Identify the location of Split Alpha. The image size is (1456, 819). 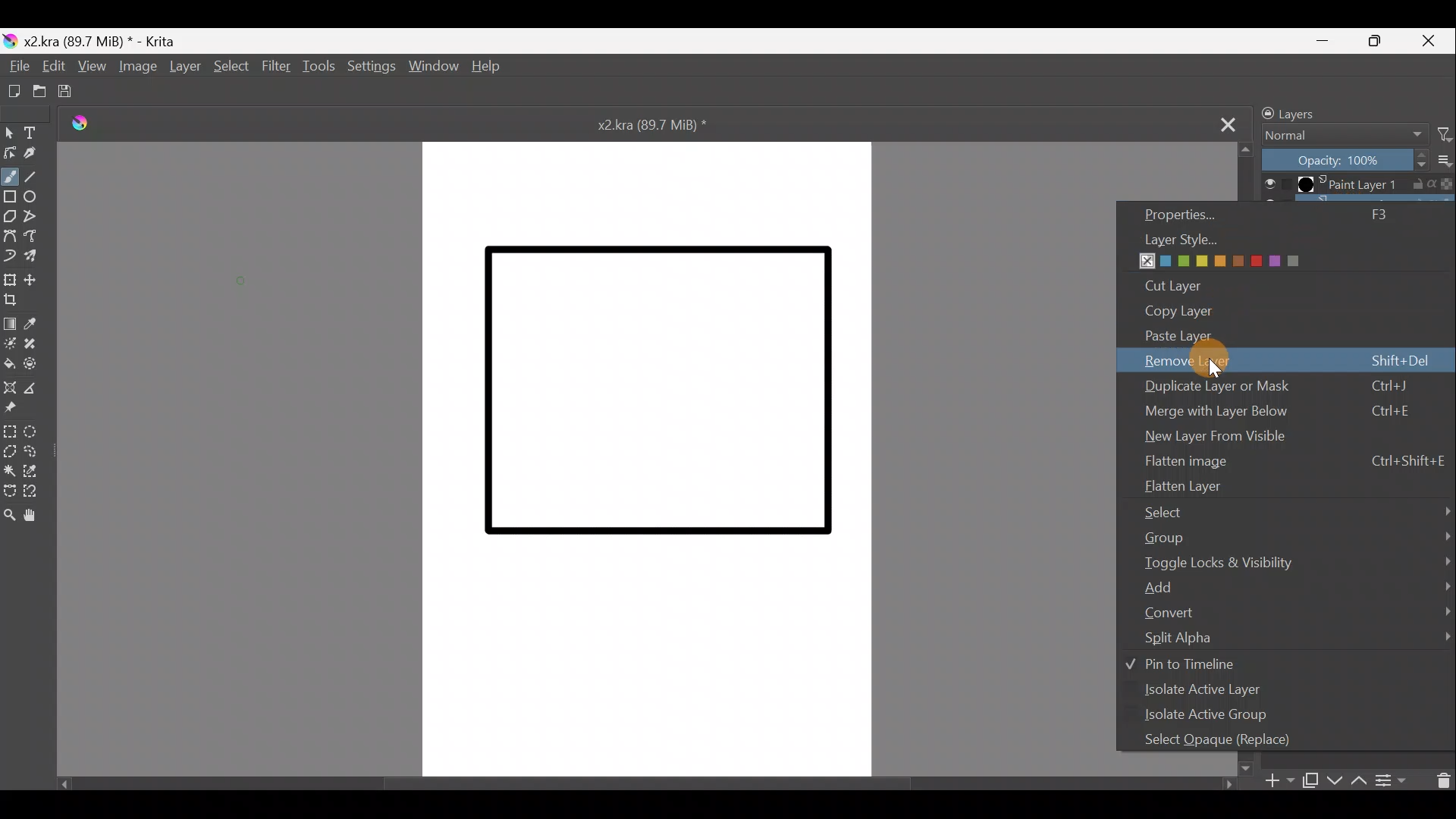
(1291, 639).